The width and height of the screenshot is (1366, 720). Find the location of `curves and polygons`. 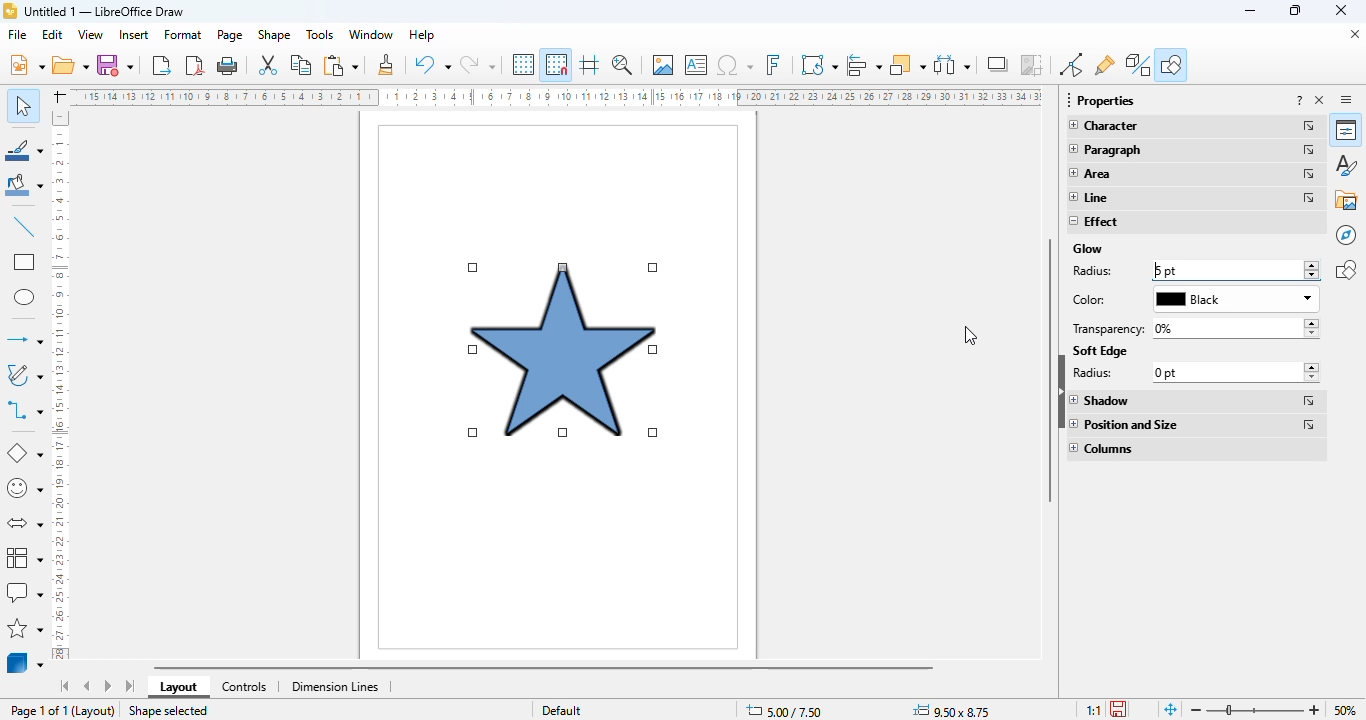

curves and polygons is located at coordinates (23, 376).